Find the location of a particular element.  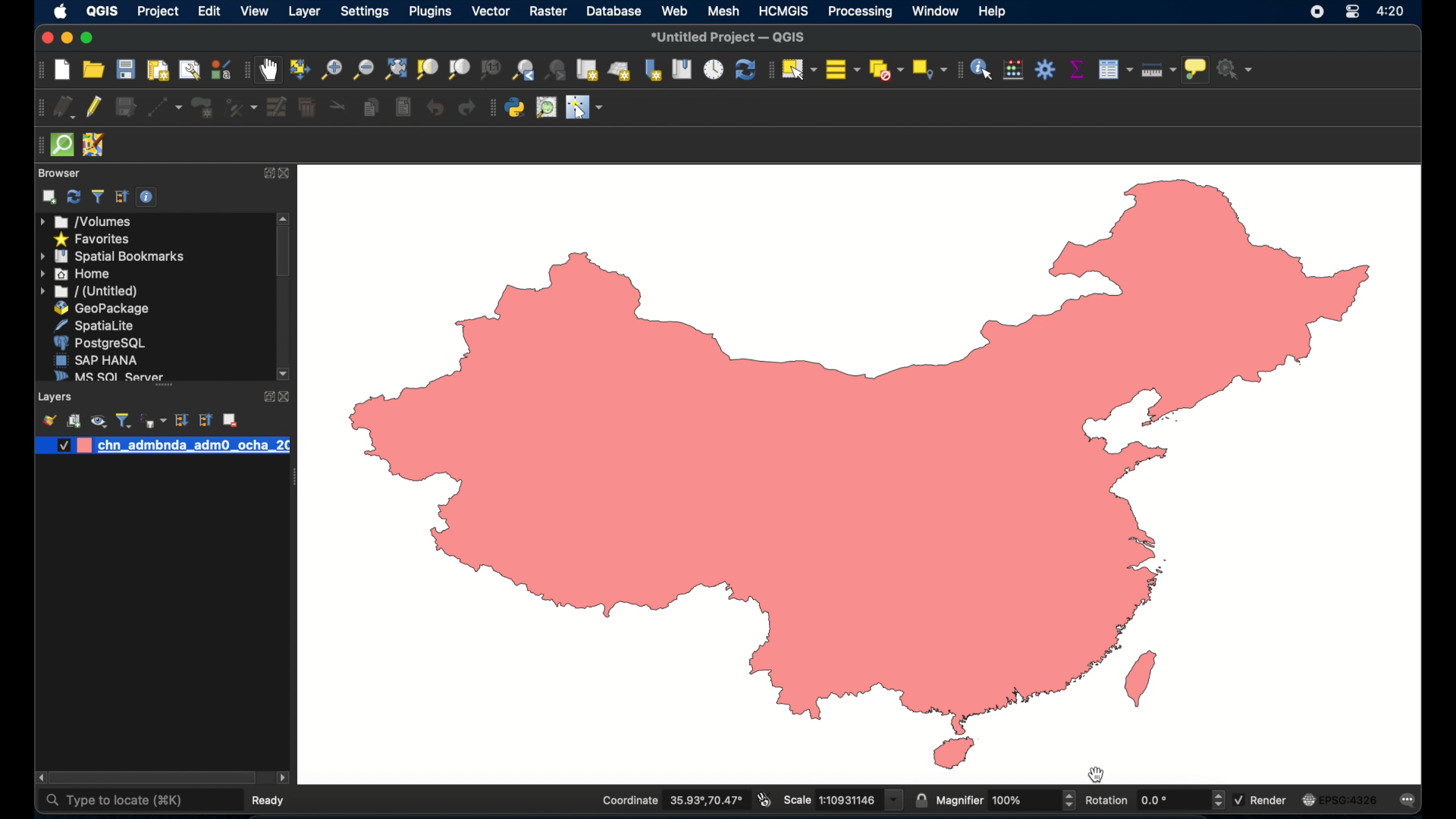

database is located at coordinates (616, 11).